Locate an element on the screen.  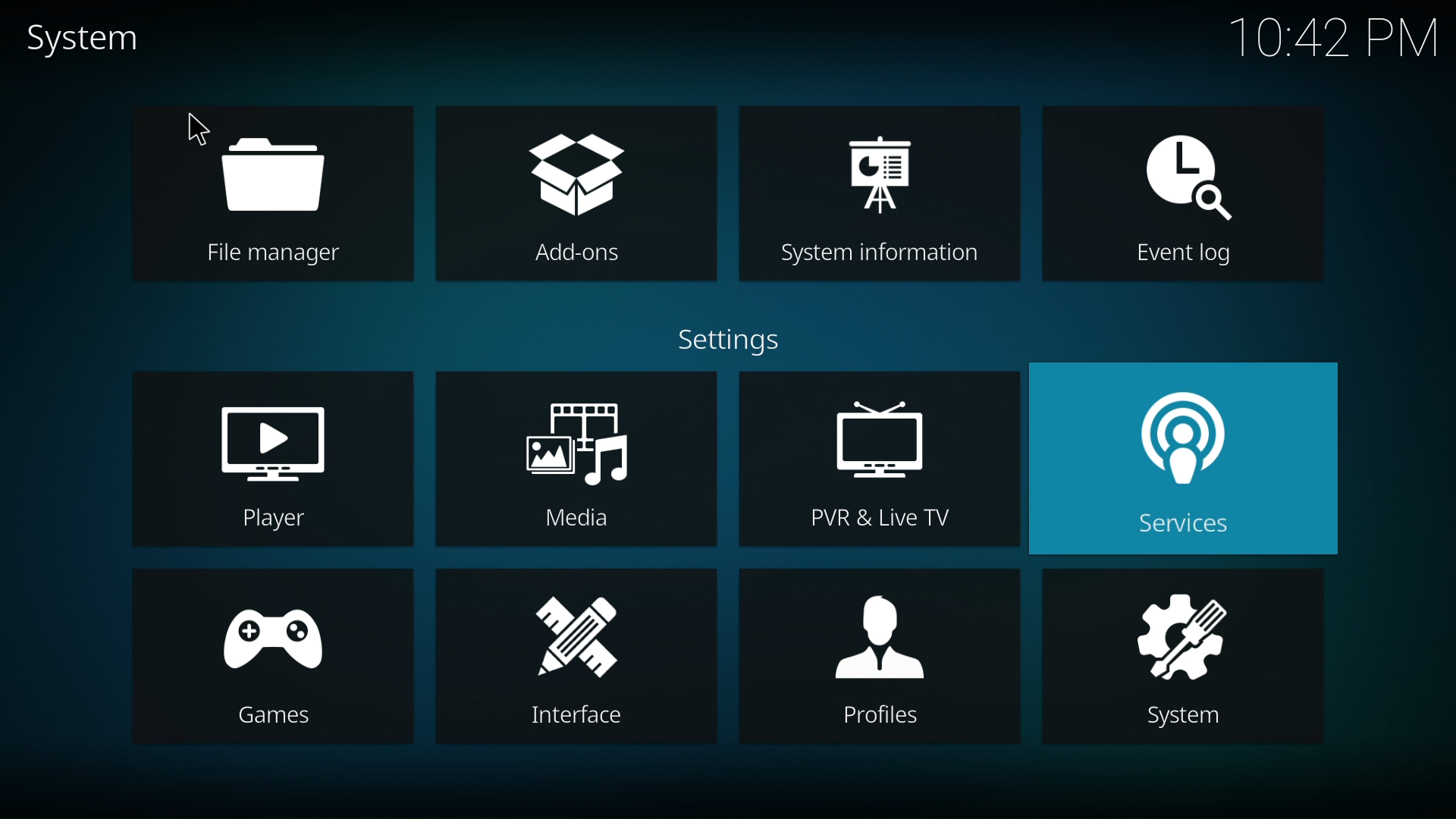
system information is located at coordinates (879, 194).